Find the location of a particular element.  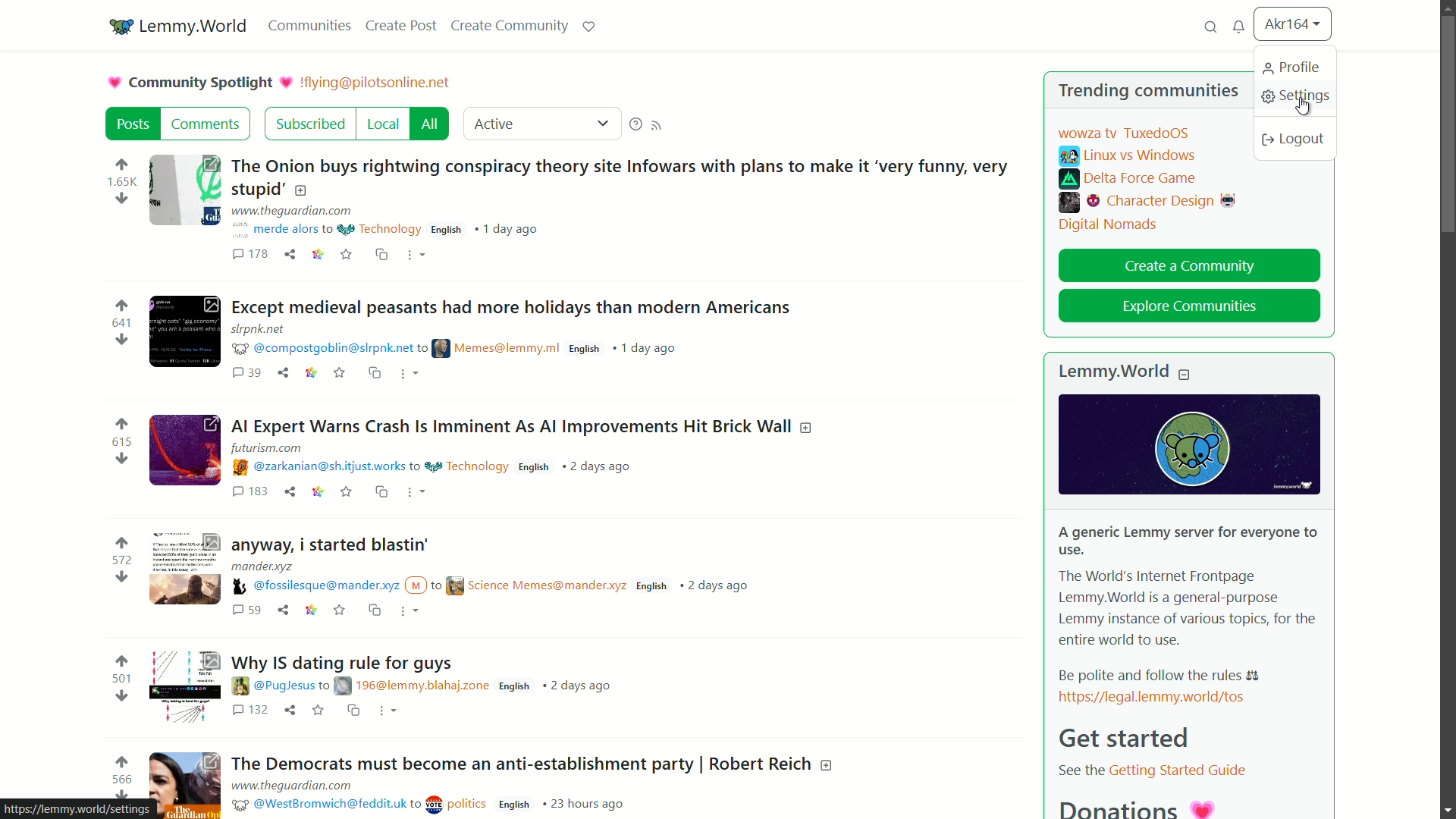

subscribed is located at coordinates (312, 124).